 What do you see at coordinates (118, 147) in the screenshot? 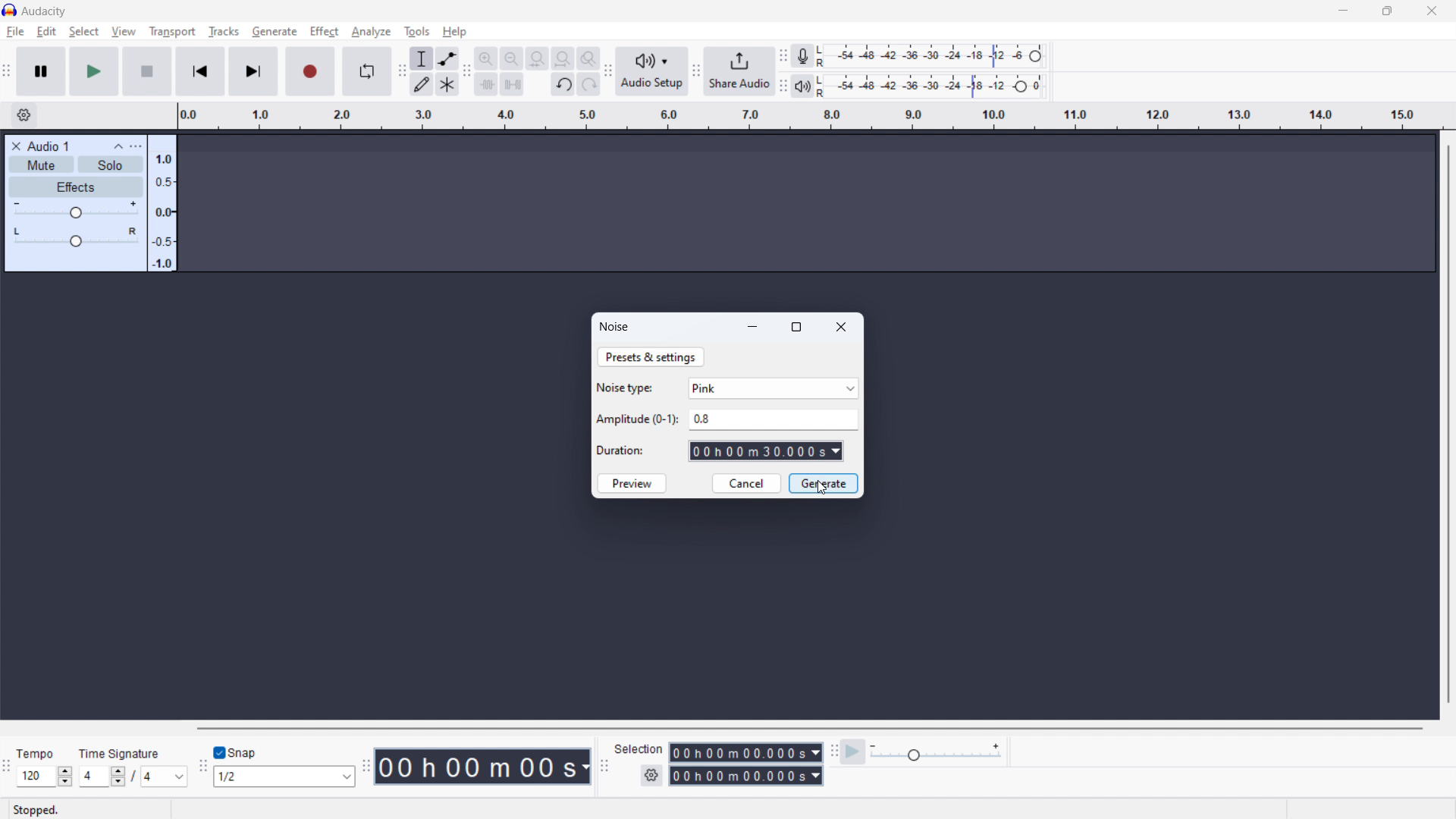
I see `collapse` at bounding box center [118, 147].